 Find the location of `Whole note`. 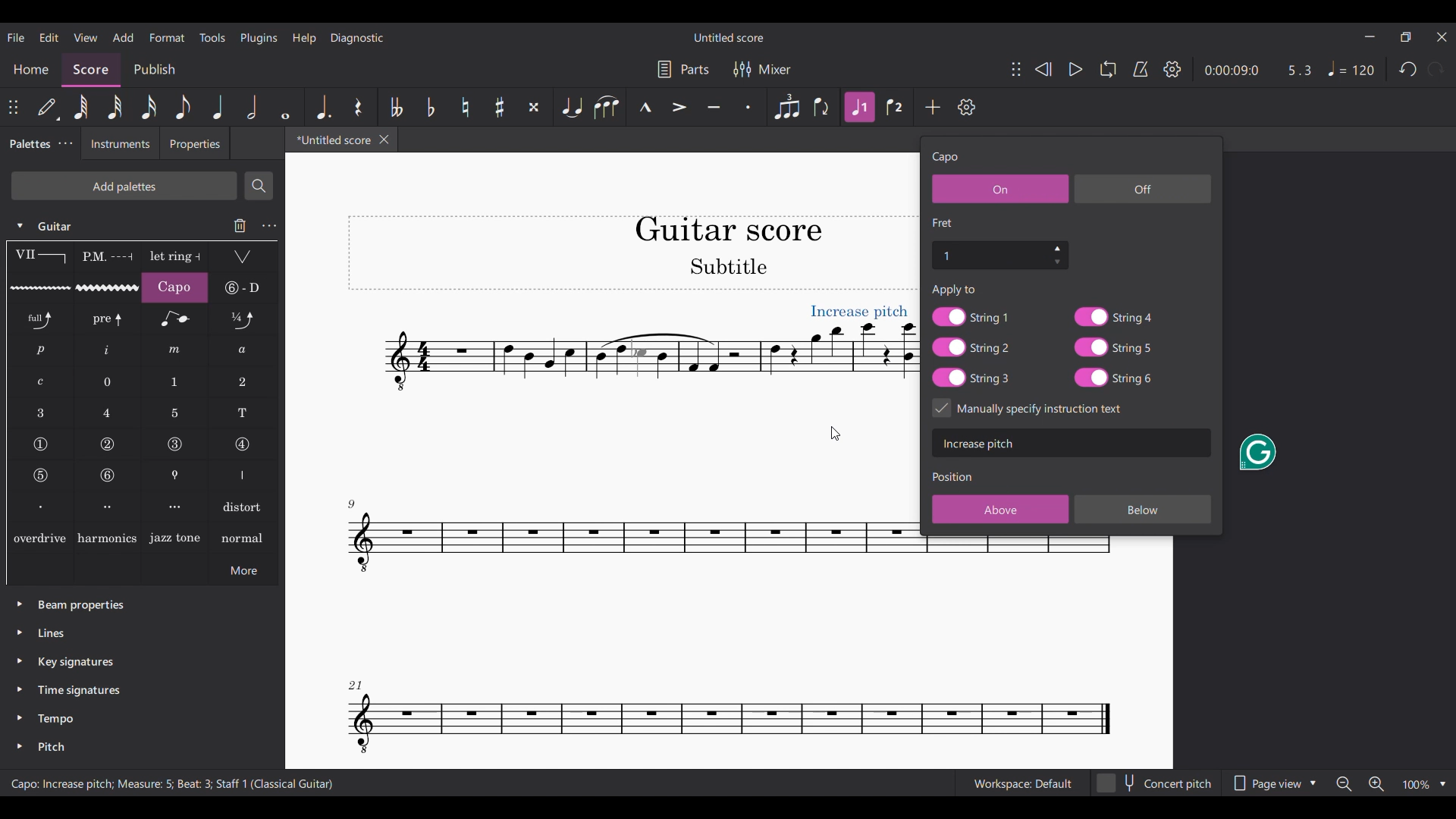

Whole note is located at coordinates (285, 107).